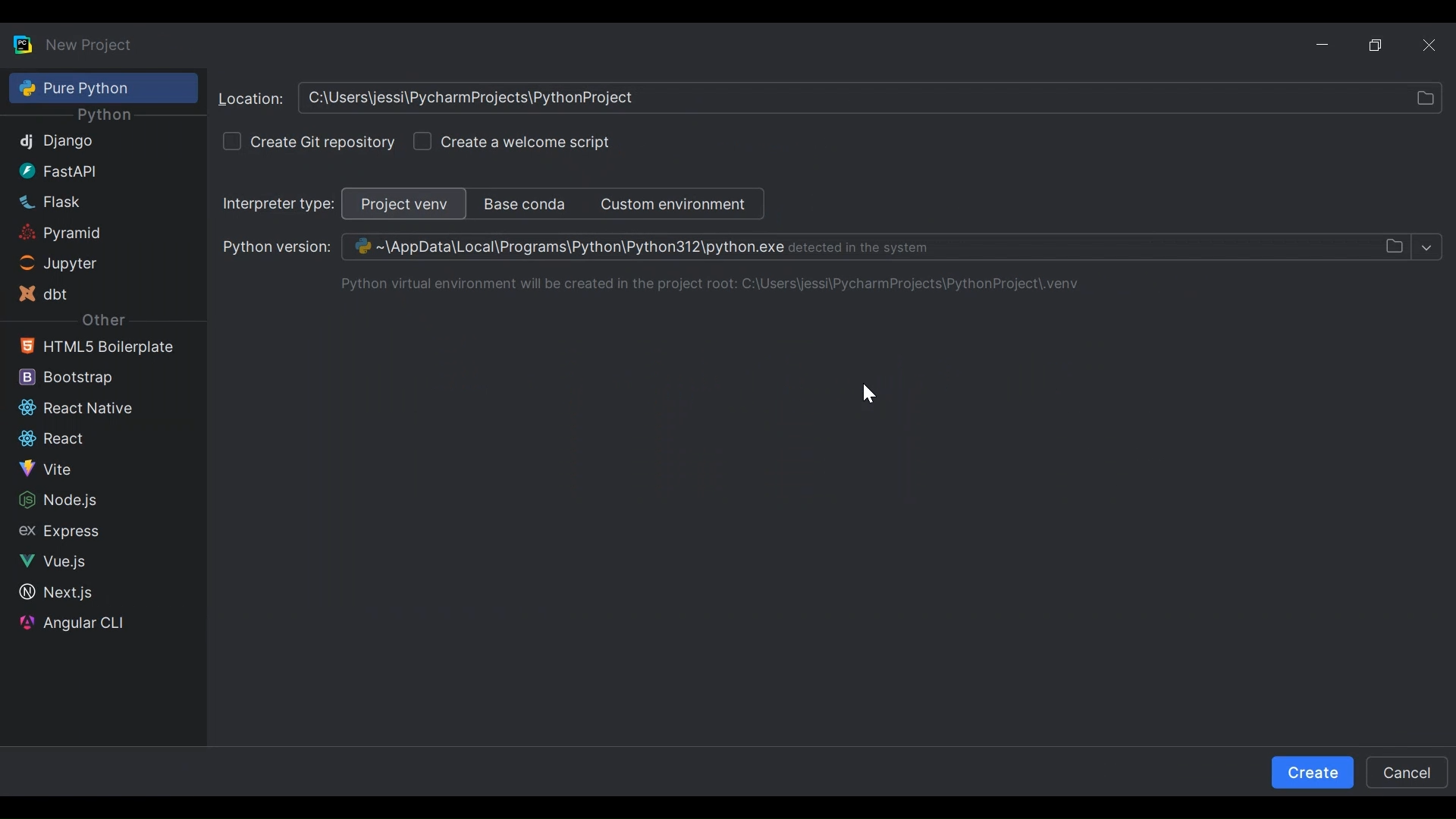 The height and width of the screenshot is (819, 1456). What do you see at coordinates (773, 246) in the screenshot?
I see `Browse Python Version` at bounding box center [773, 246].